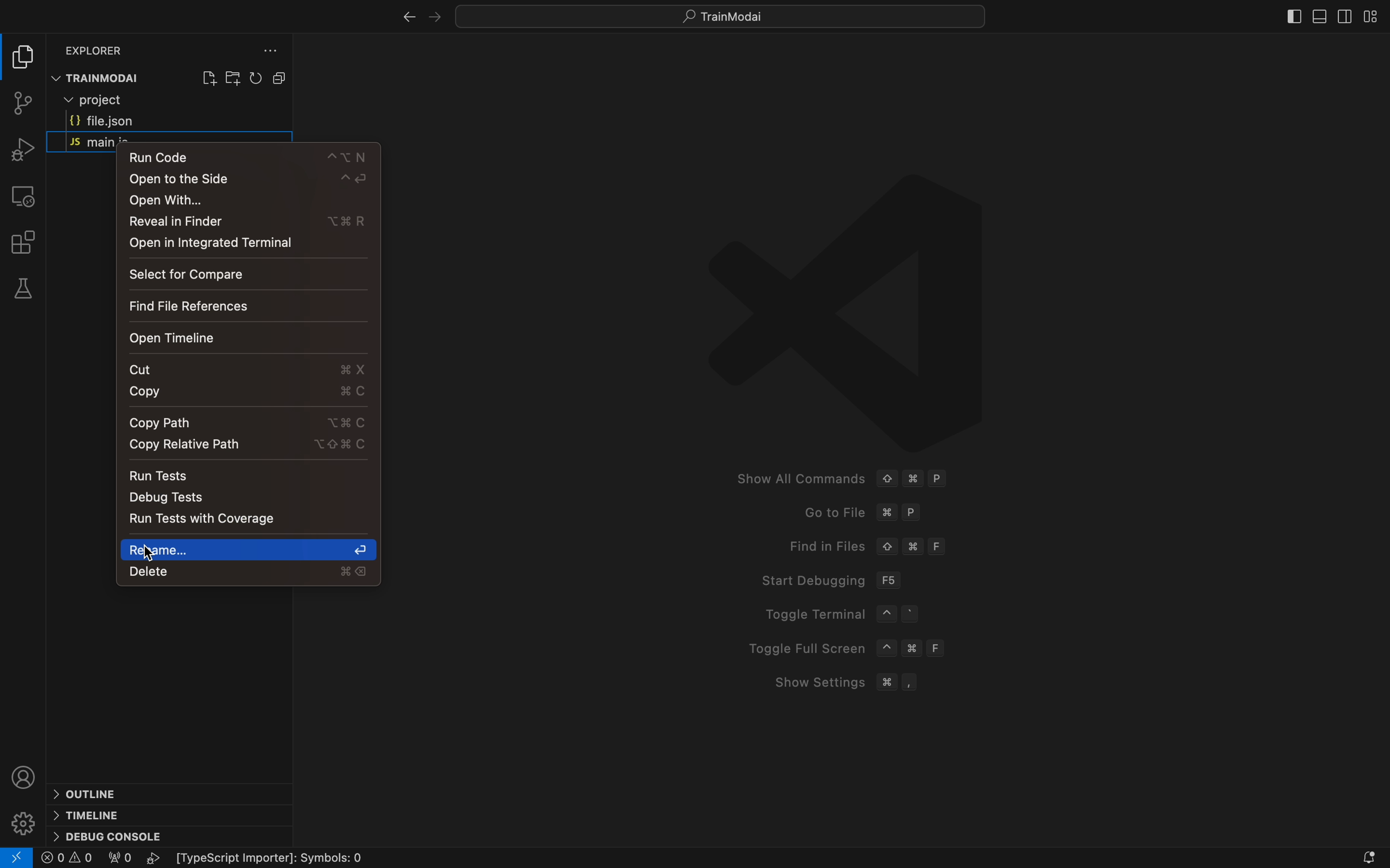  I want to click on Show Setting, so click(848, 682).